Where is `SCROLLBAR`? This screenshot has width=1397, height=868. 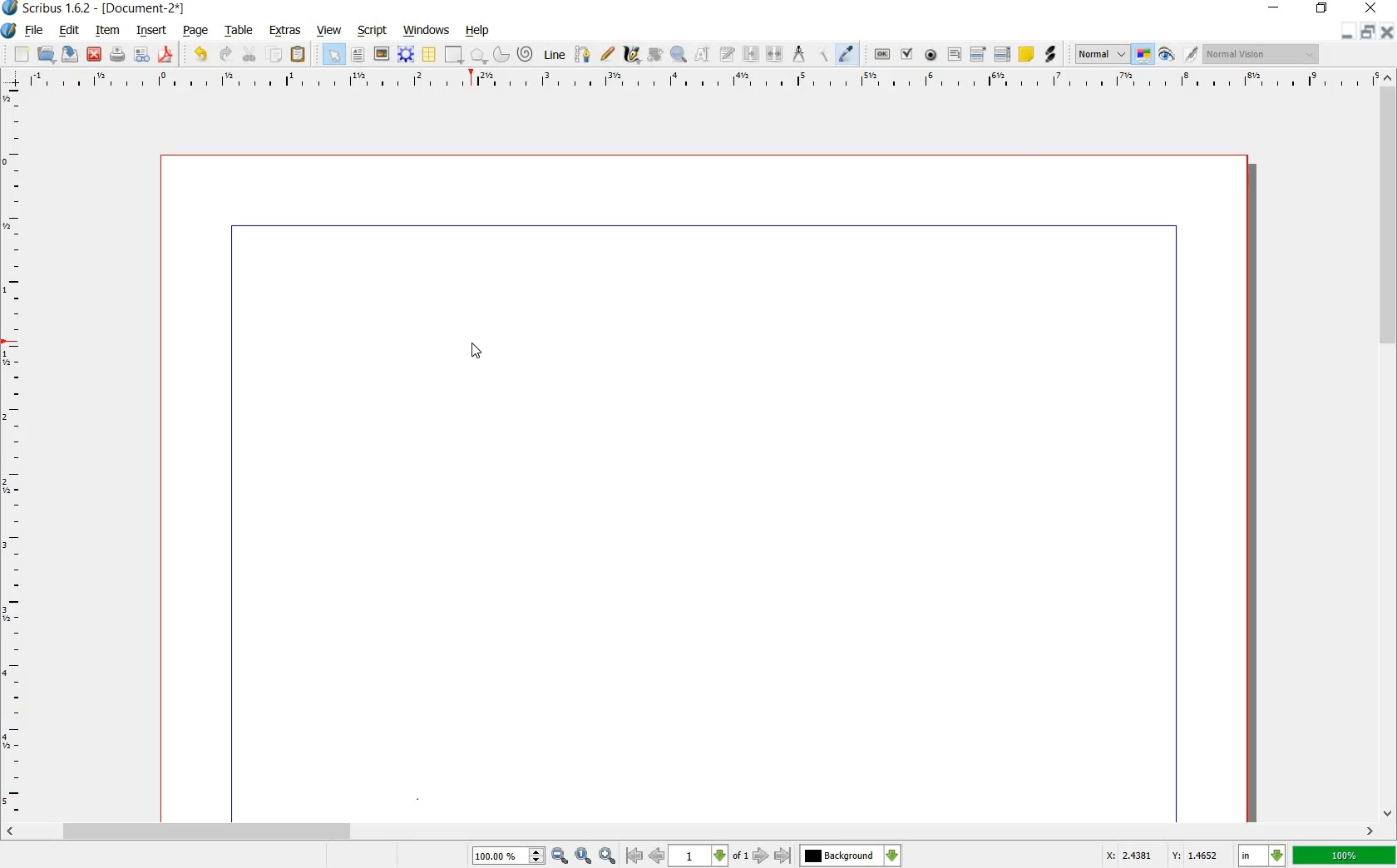 SCROLLBAR is located at coordinates (1389, 446).